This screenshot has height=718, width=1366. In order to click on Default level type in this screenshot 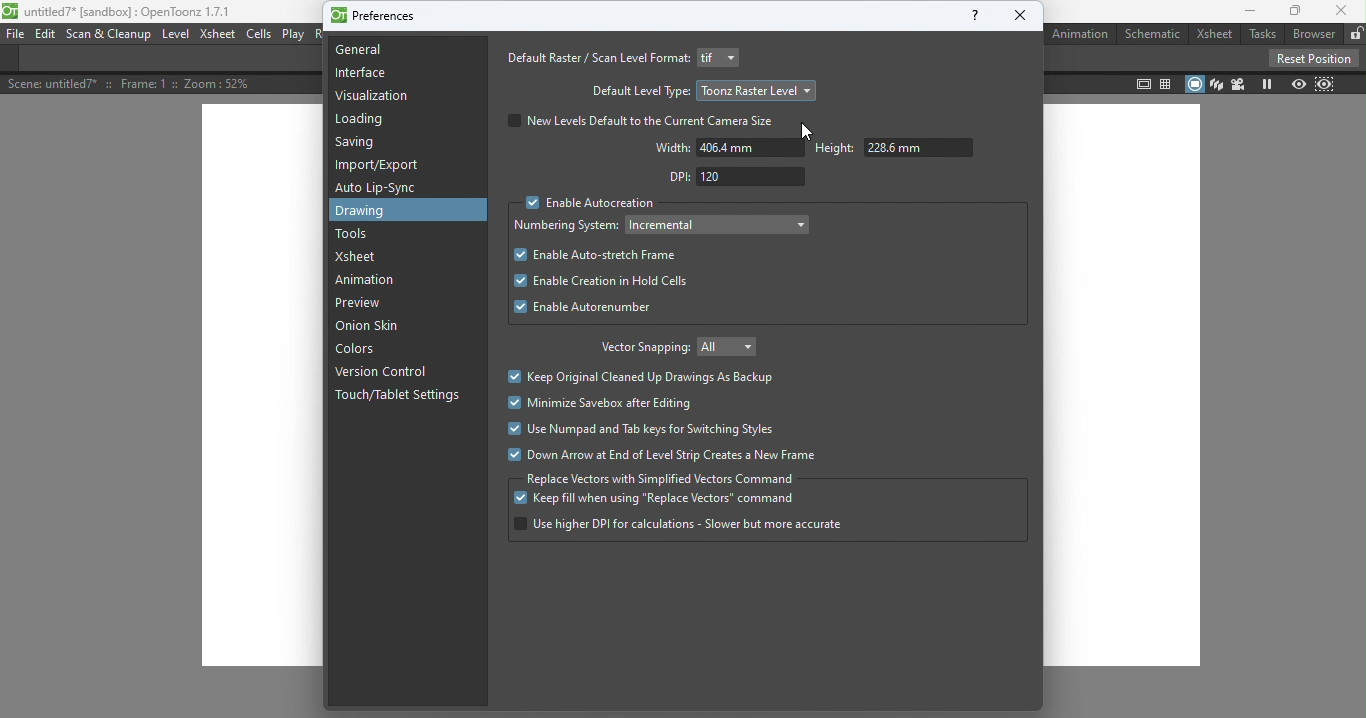, I will do `click(639, 91)`.